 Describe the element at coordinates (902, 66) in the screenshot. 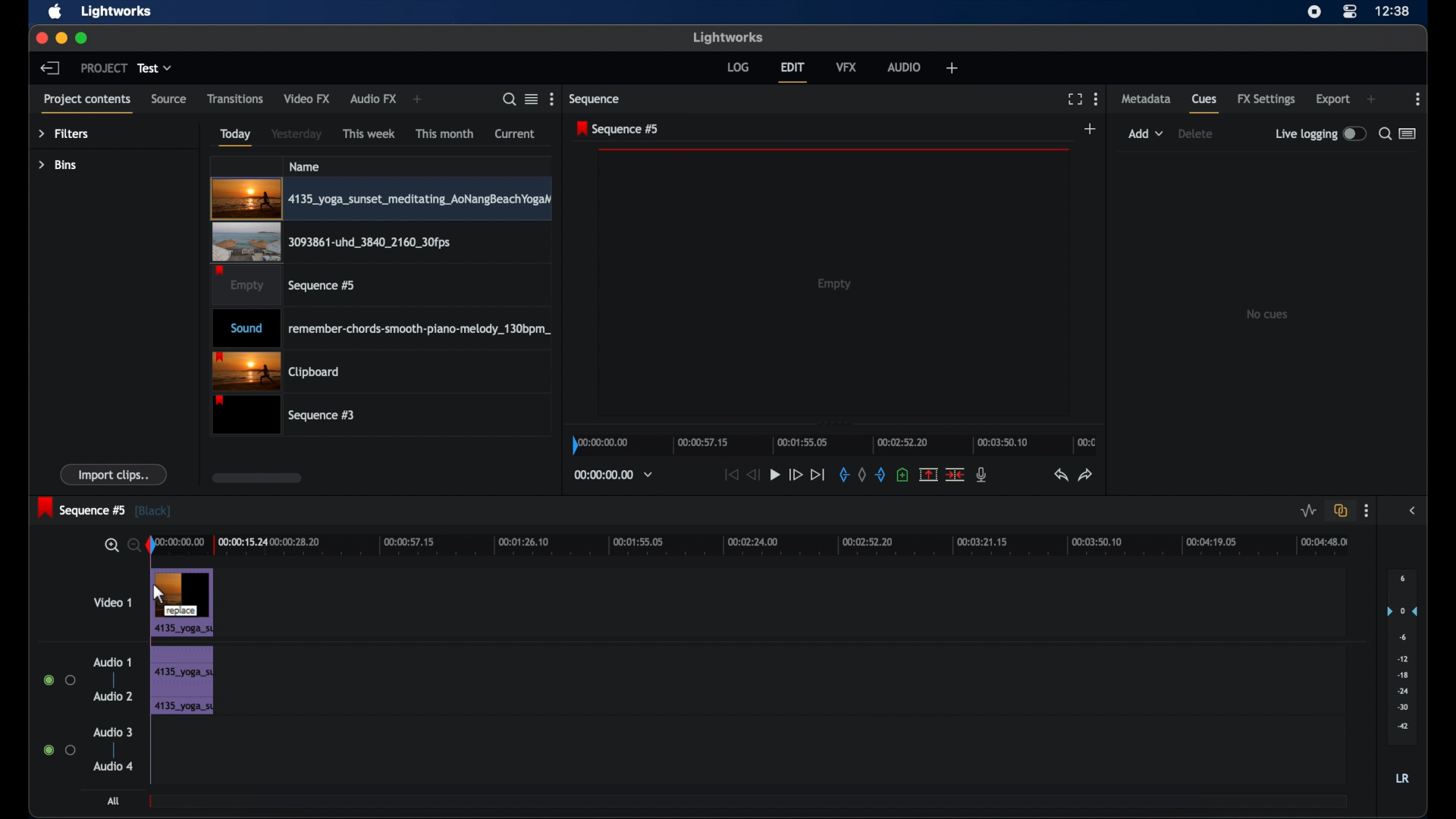

I see `audio` at that location.